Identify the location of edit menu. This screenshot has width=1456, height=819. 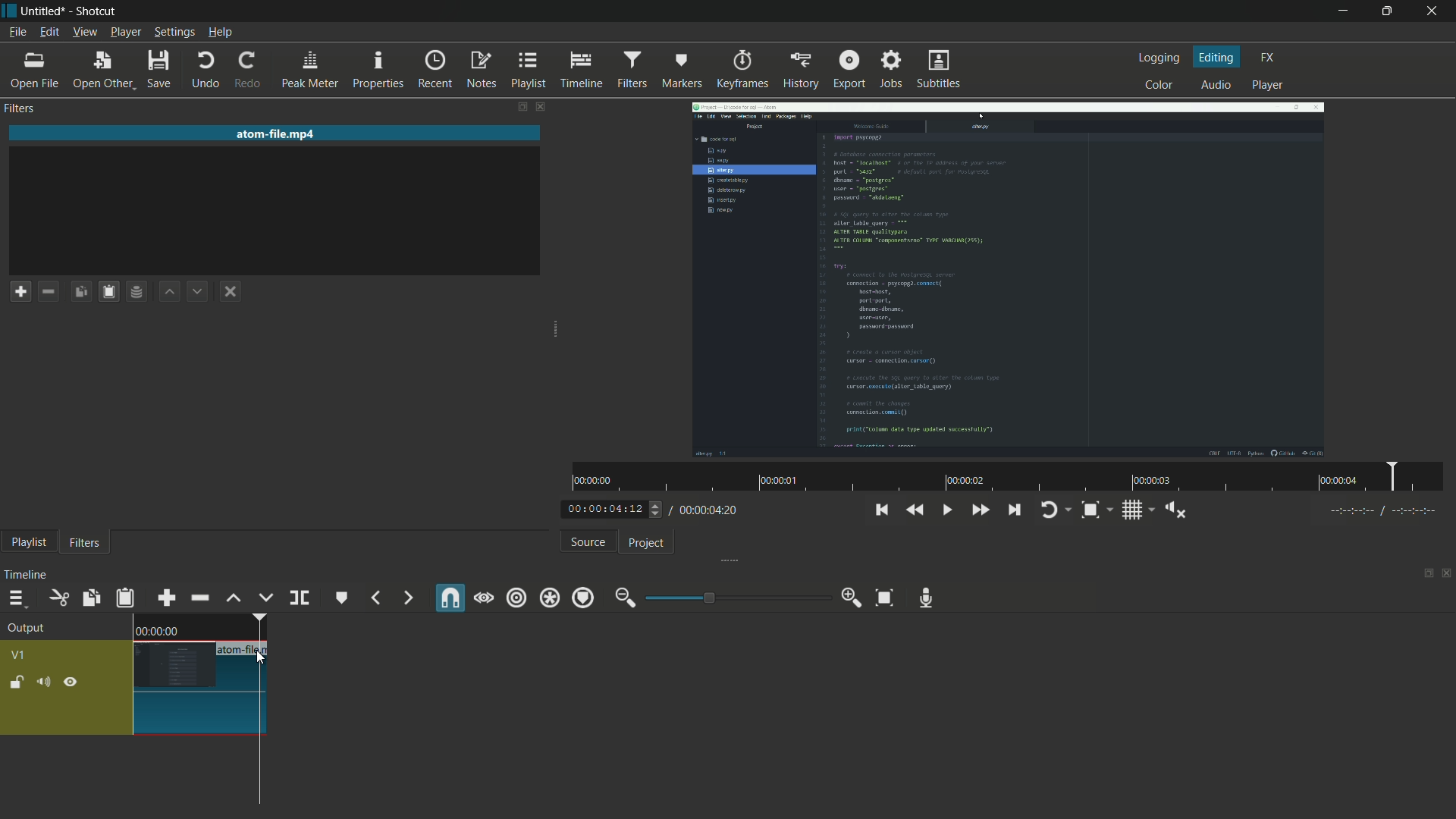
(49, 34).